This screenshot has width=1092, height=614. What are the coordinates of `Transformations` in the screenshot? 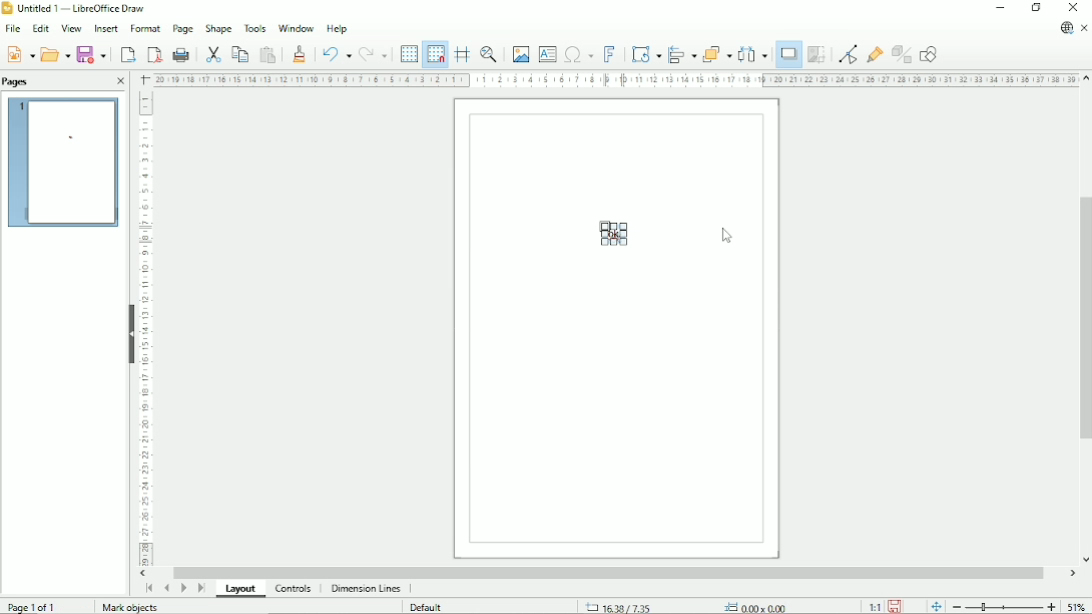 It's located at (646, 55).